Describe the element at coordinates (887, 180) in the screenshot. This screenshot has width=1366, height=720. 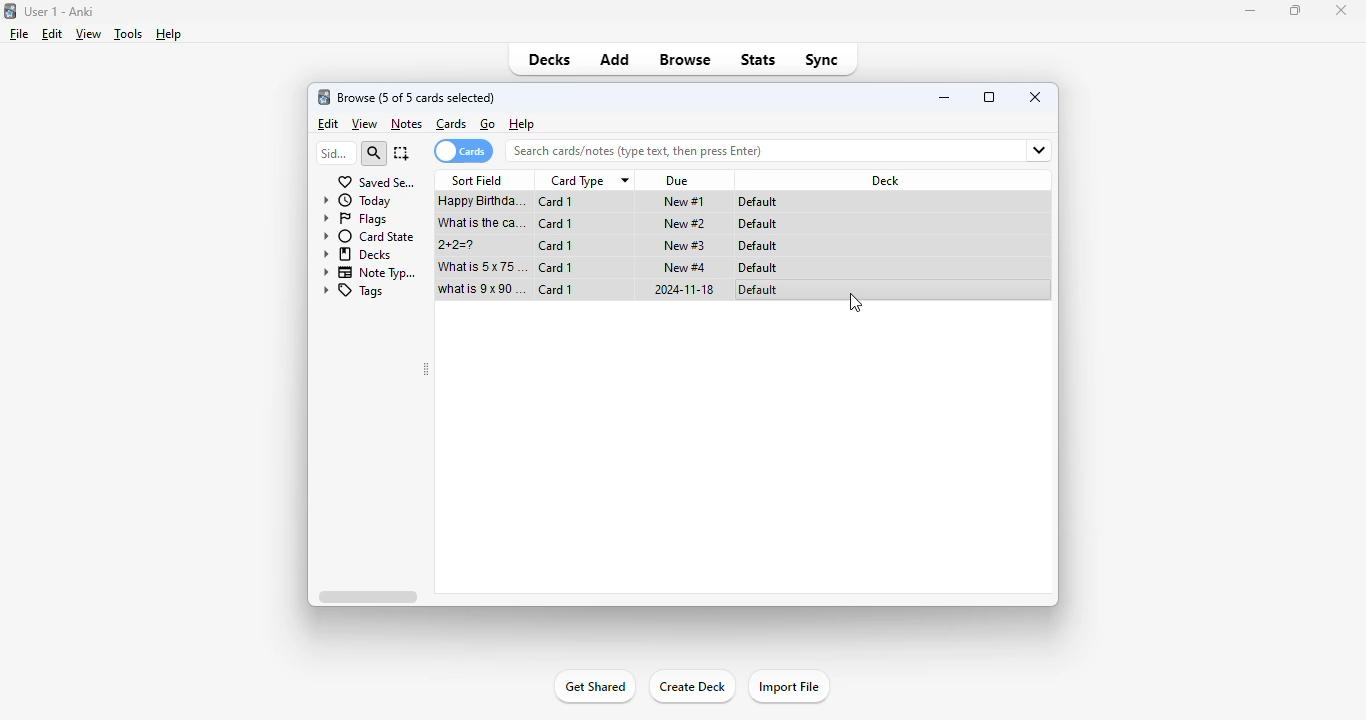
I see `deck` at that location.